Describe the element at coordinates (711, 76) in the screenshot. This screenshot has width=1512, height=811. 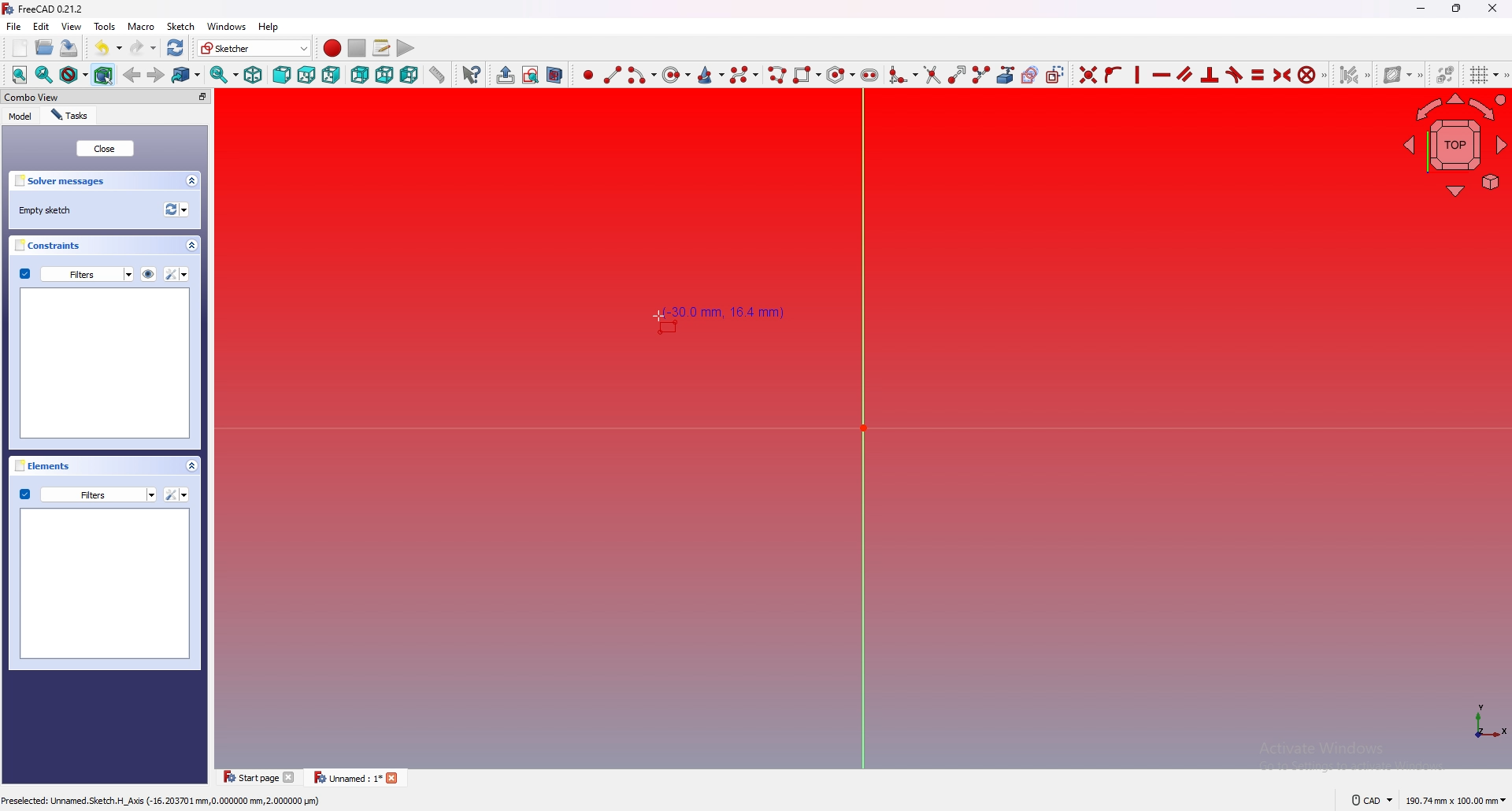
I see `create conic` at that location.